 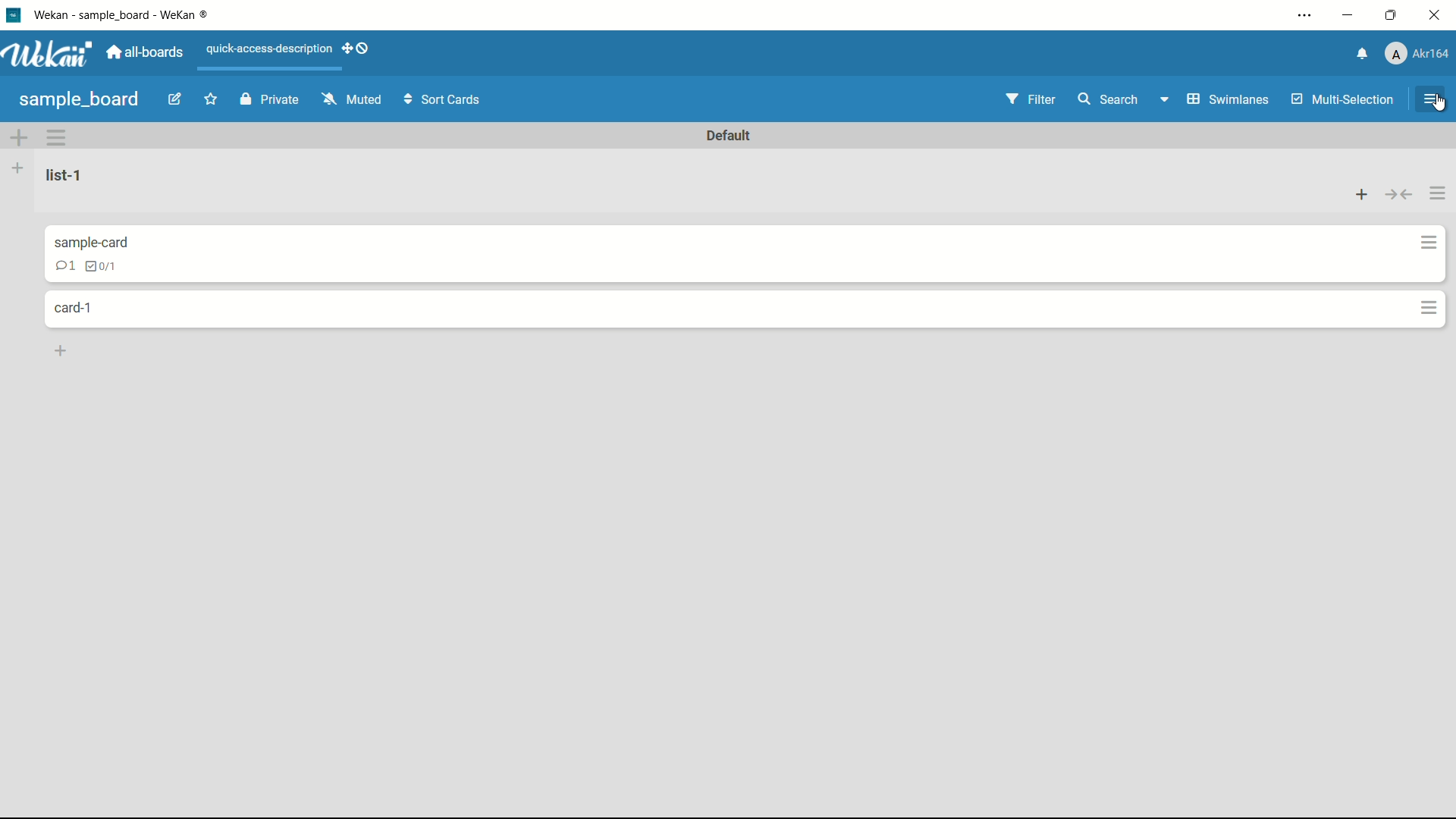 I want to click on search, so click(x=1109, y=100).